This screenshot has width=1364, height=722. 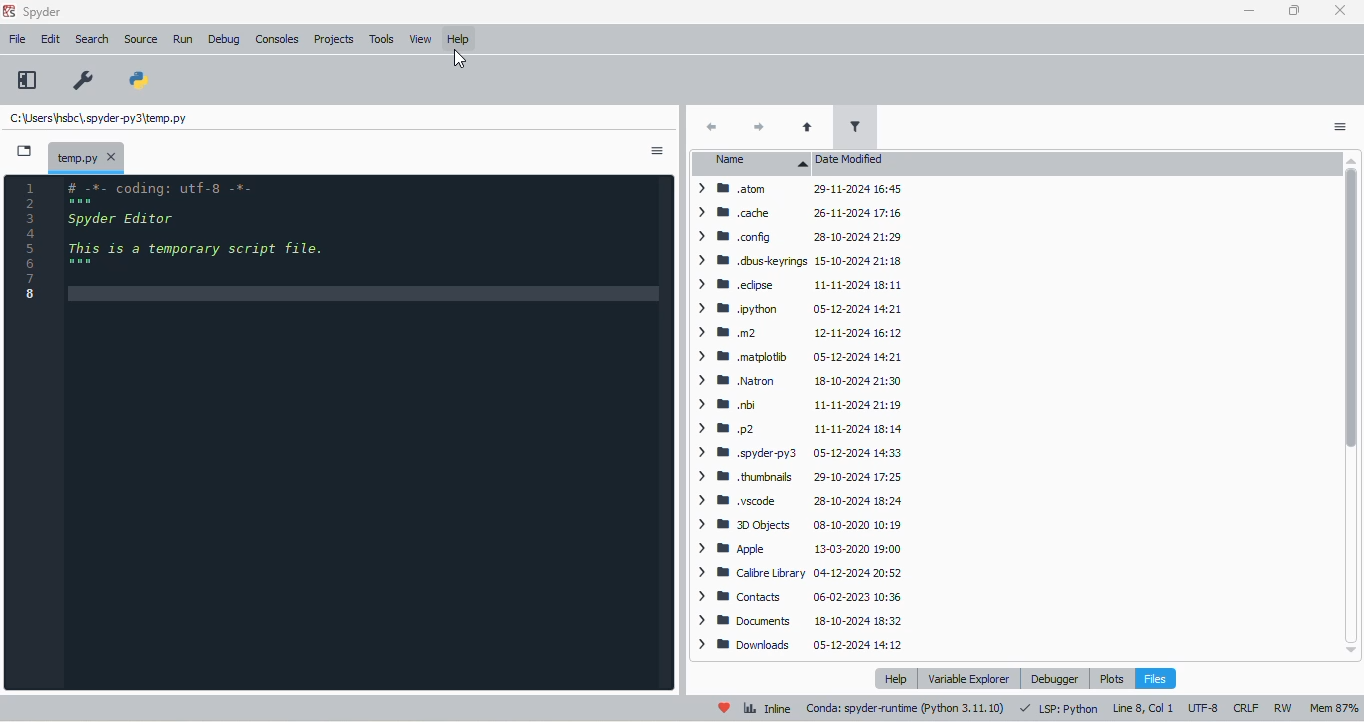 I want to click on debug, so click(x=223, y=39).